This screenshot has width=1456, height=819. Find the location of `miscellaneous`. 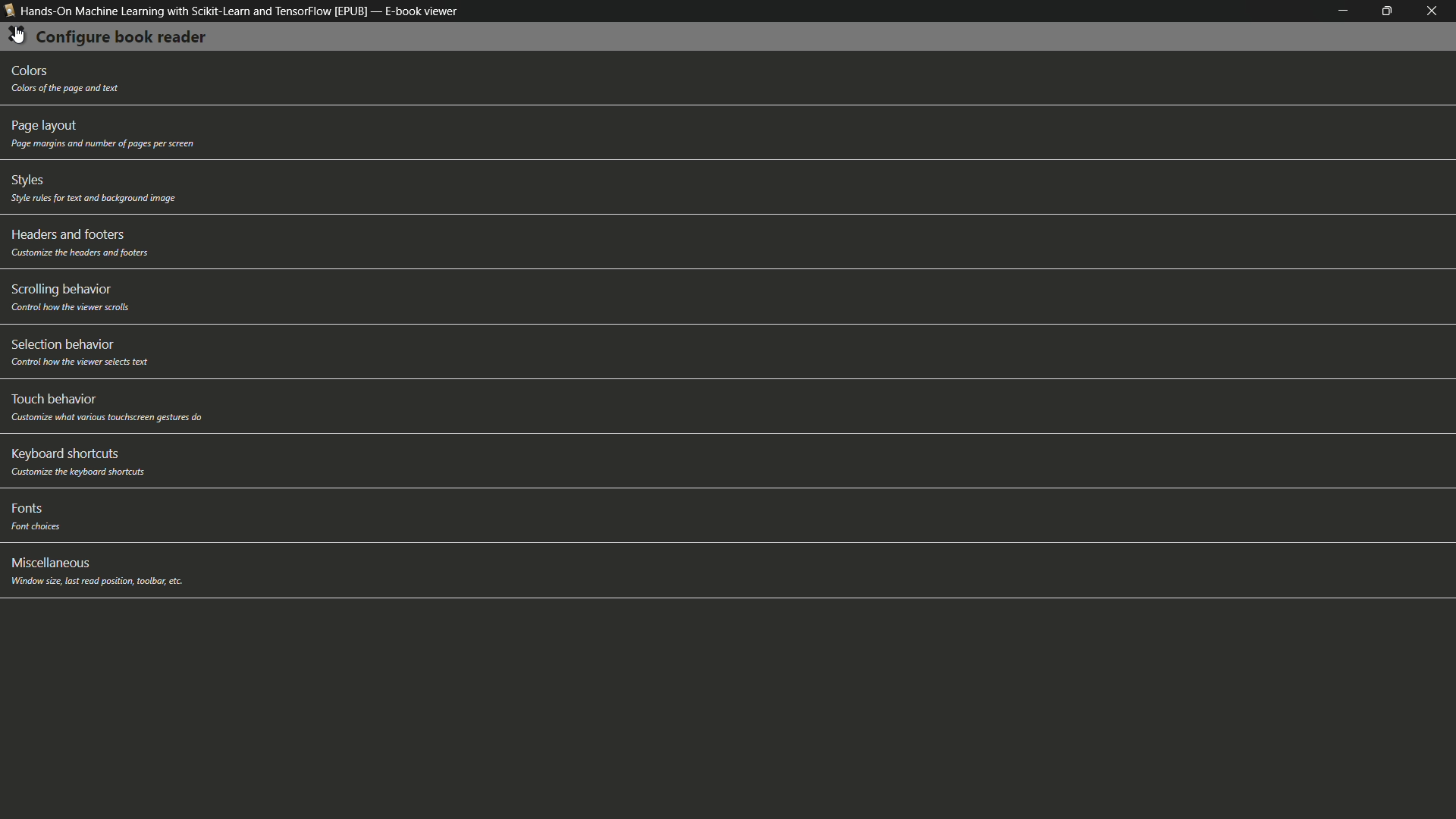

miscellaneous is located at coordinates (52, 562).